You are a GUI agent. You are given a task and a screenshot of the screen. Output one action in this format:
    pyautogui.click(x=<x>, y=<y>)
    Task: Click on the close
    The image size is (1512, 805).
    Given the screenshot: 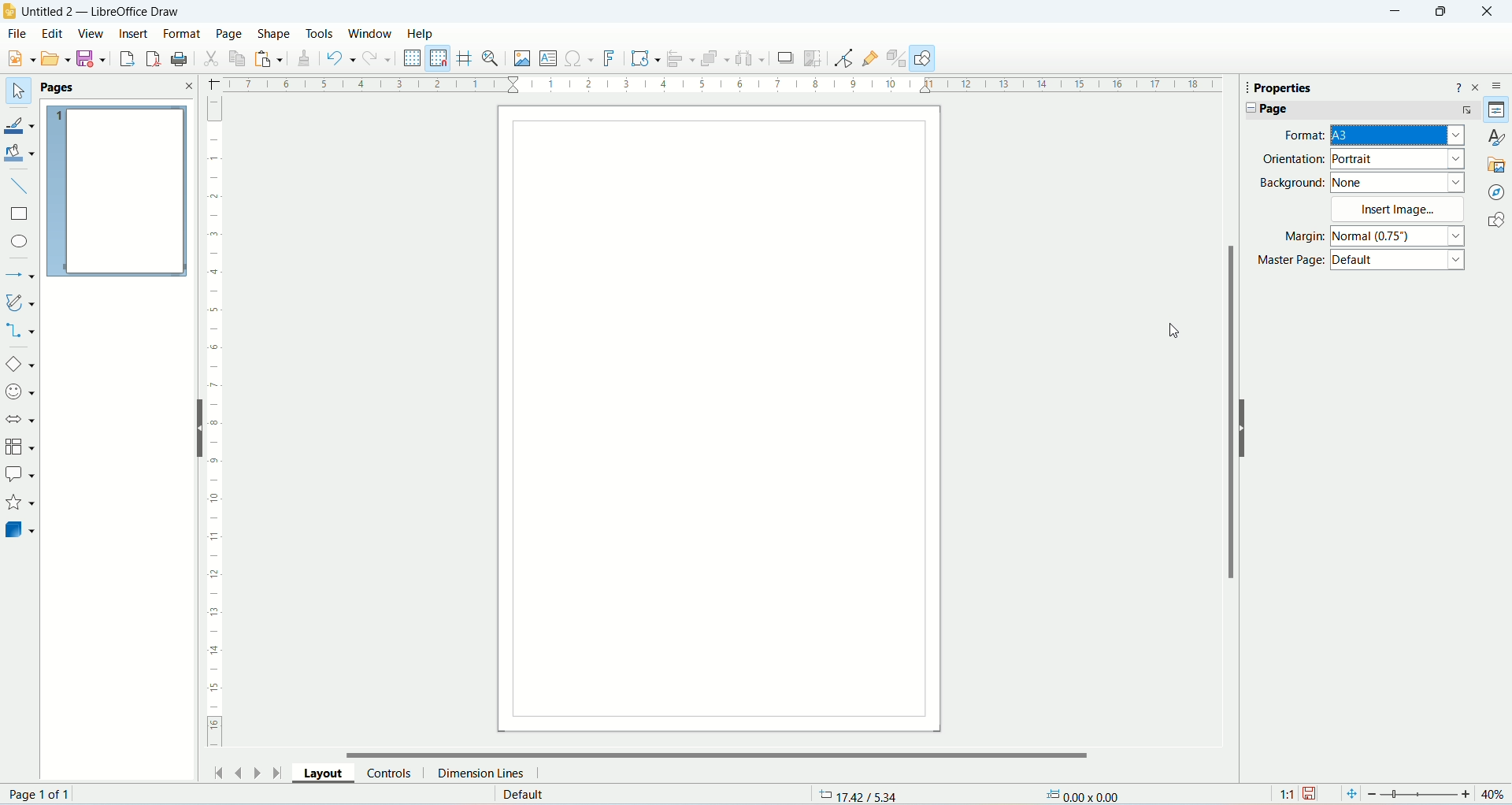 What is the action you would take?
    pyautogui.click(x=1475, y=88)
    